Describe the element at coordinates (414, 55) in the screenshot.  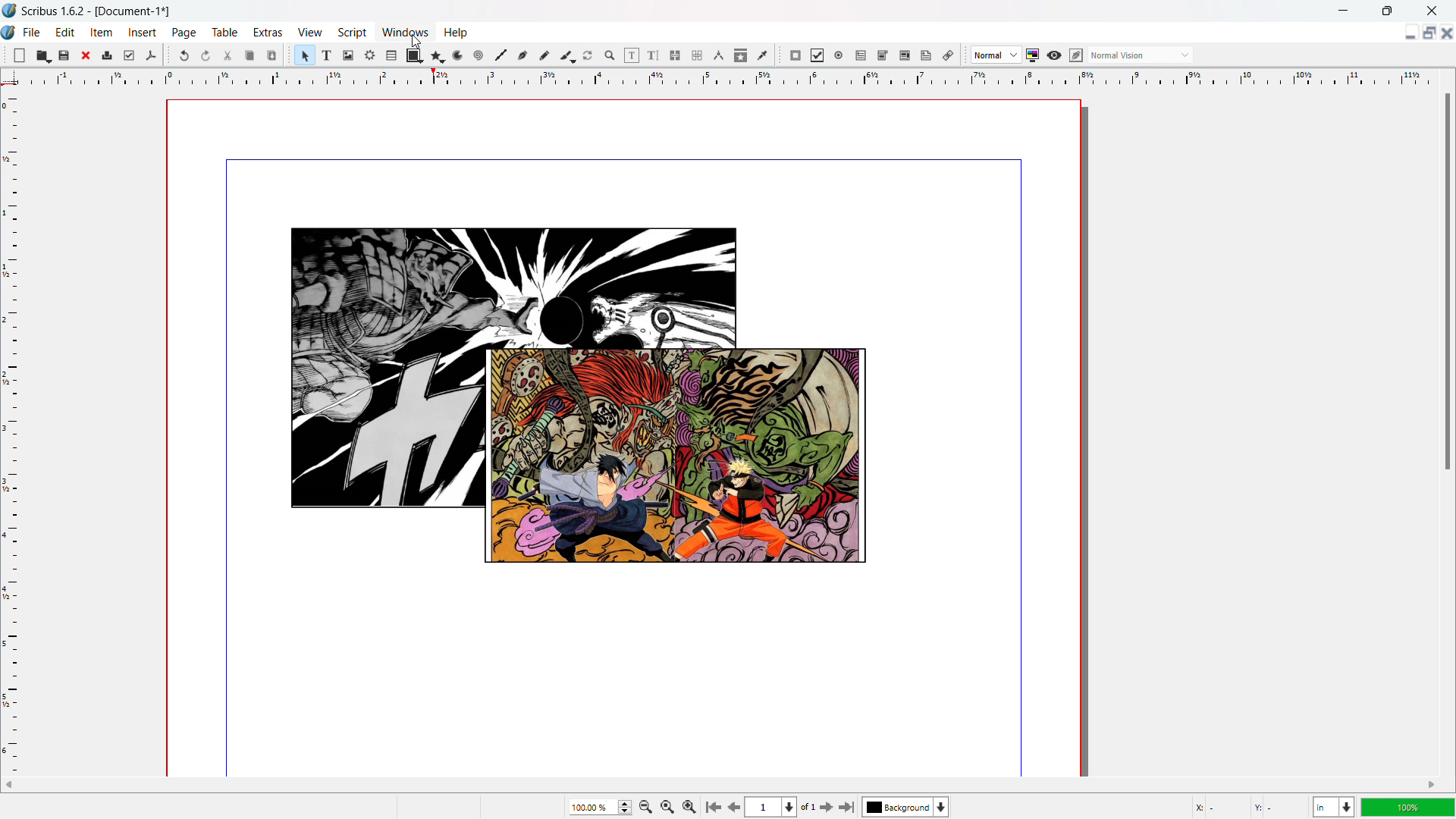
I see `shape` at that location.